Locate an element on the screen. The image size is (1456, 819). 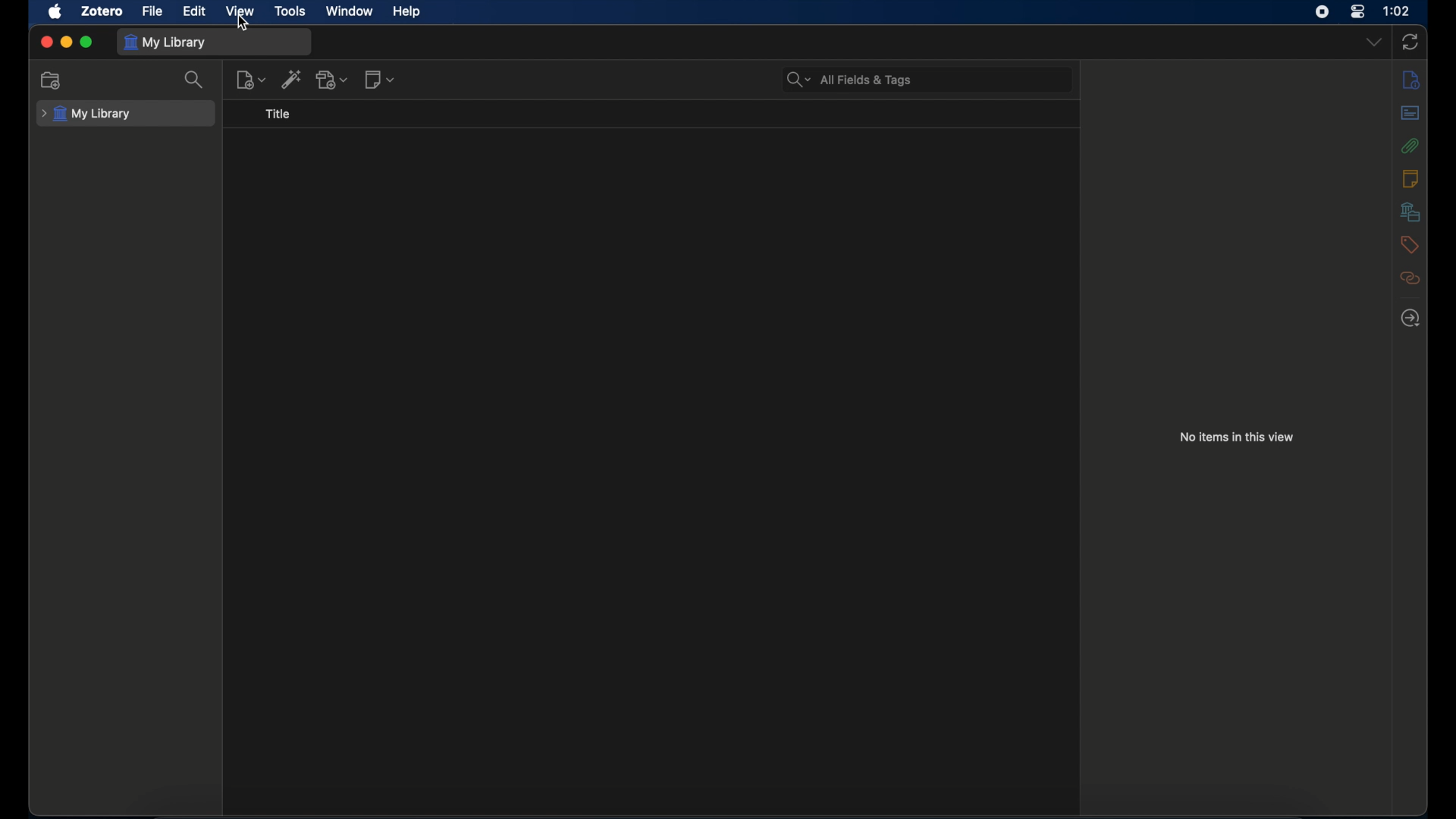
file is located at coordinates (151, 10).